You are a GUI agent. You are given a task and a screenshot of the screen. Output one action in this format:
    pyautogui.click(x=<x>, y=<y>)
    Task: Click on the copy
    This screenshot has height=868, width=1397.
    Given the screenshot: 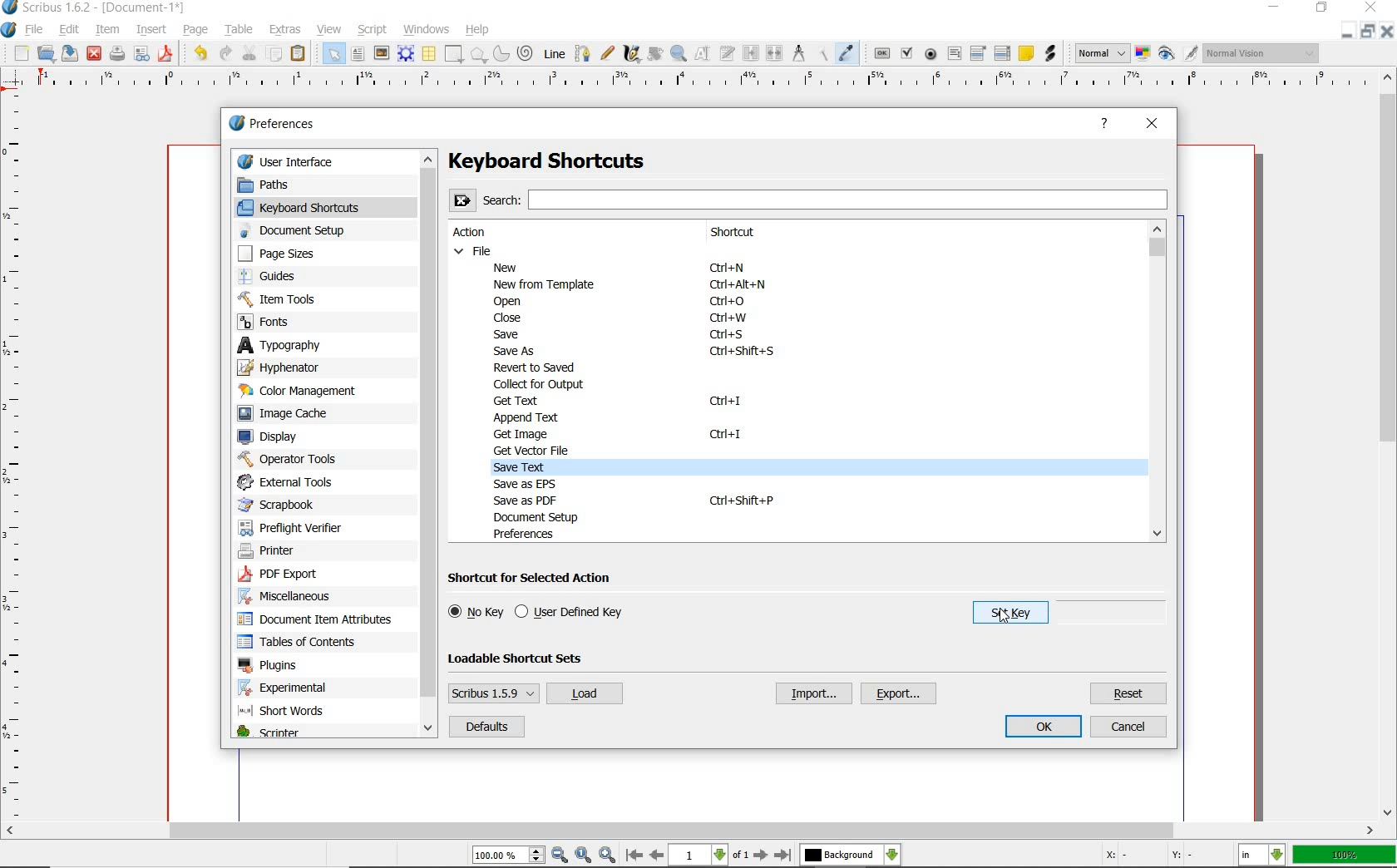 What is the action you would take?
    pyautogui.click(x=274, y=54)
    